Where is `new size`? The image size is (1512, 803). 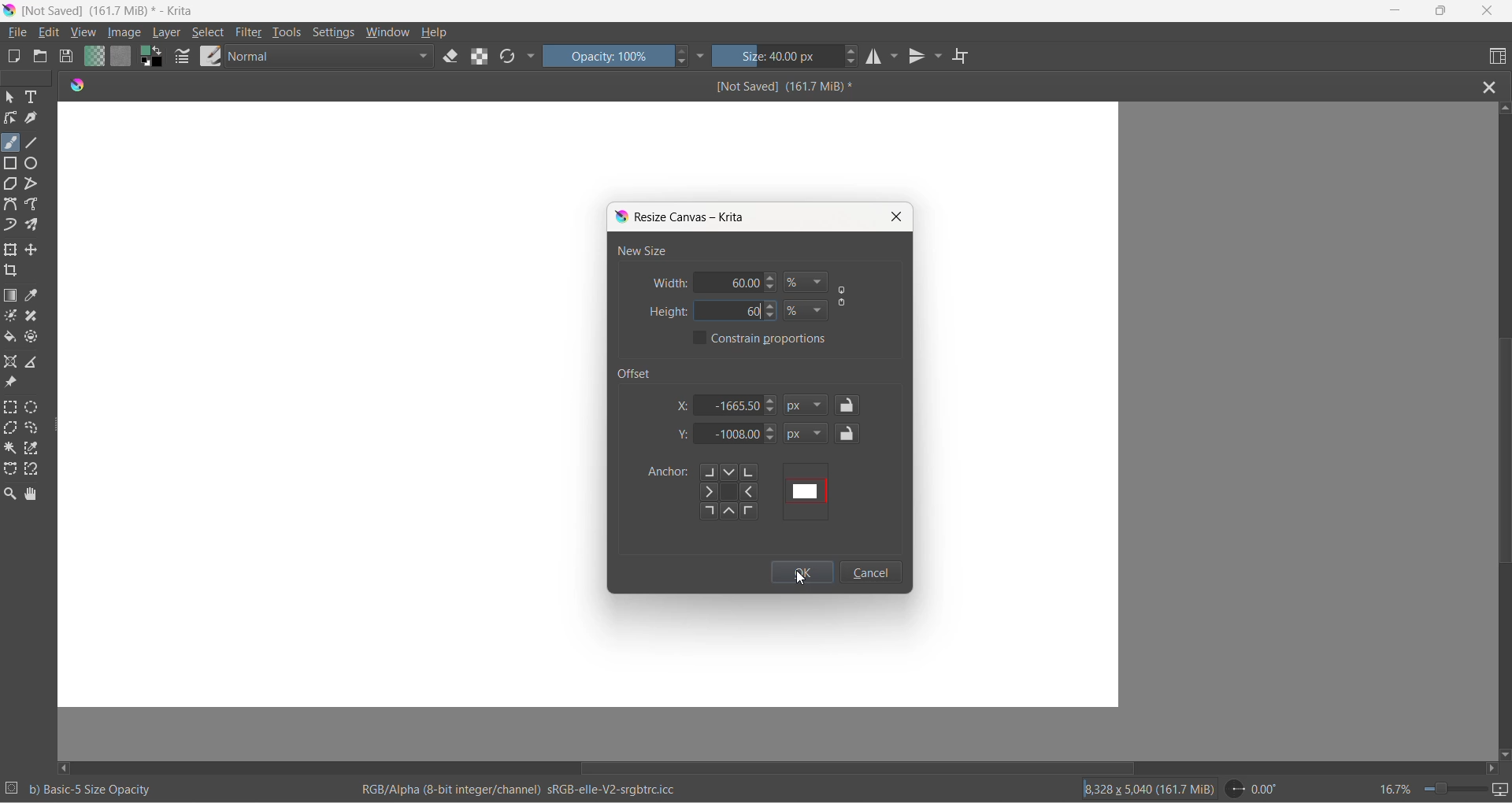 new size is located at coordinates (642, 250).